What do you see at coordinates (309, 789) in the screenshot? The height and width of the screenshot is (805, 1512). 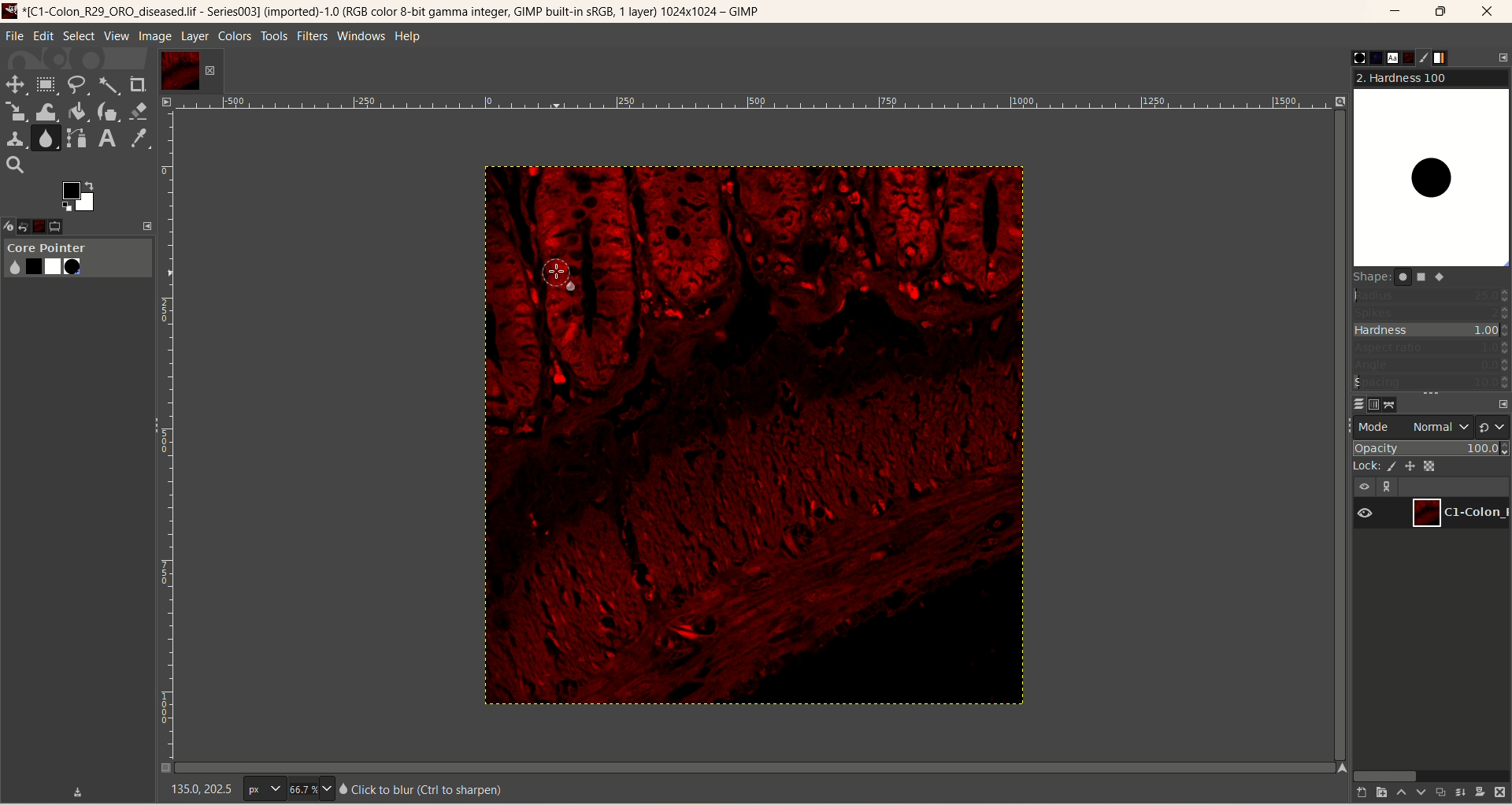 I see `zoom factor` at bounding box center [309, 789].